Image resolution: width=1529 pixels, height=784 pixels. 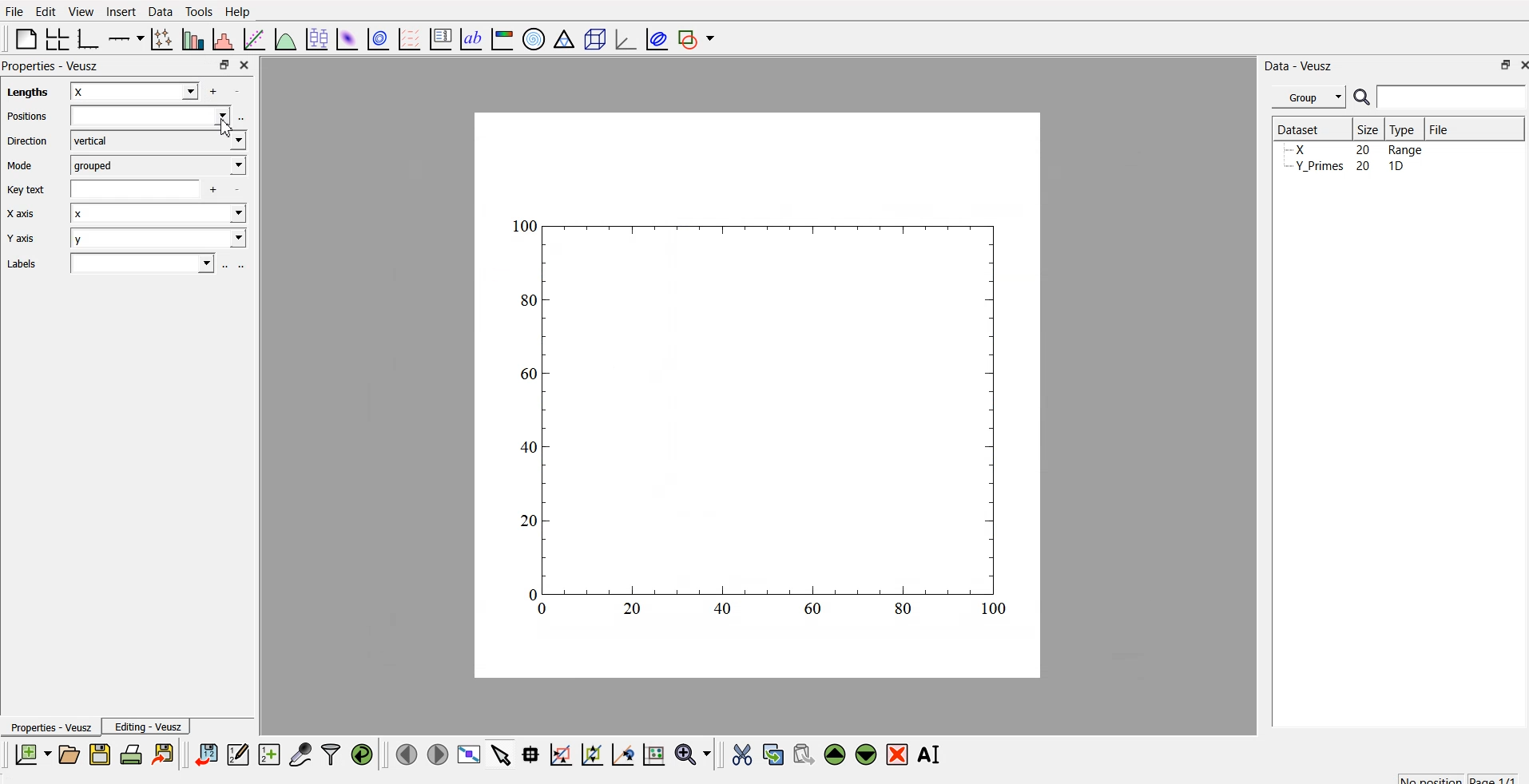 What do you see at coordinates (624, 39) in the screenshot?
I see `3D graph` at bounding box center [624, 39].